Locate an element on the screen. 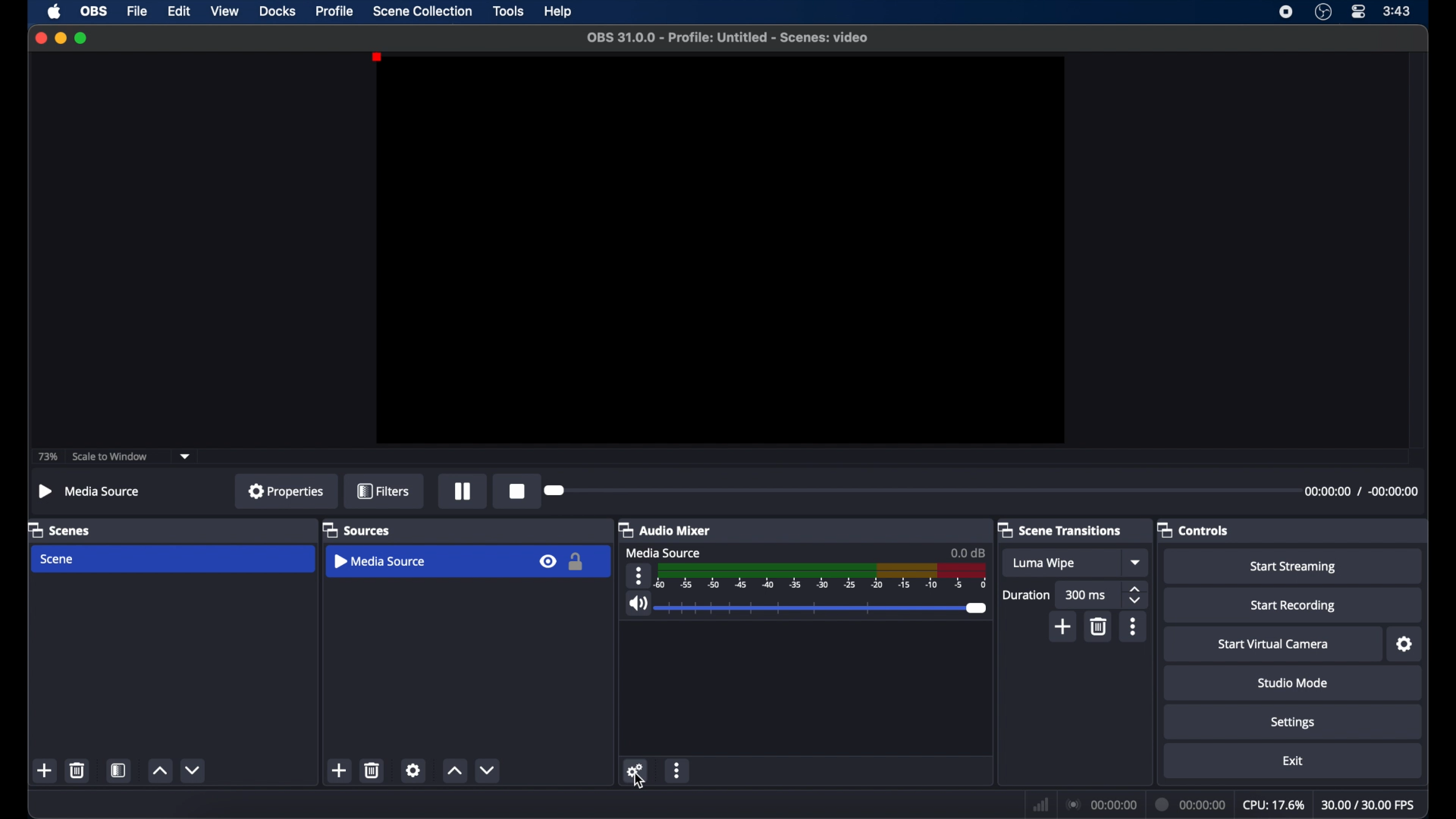 Image resolution: width=1456 pixels, height=819 pixels. settings is located at coordinates (635, 770).